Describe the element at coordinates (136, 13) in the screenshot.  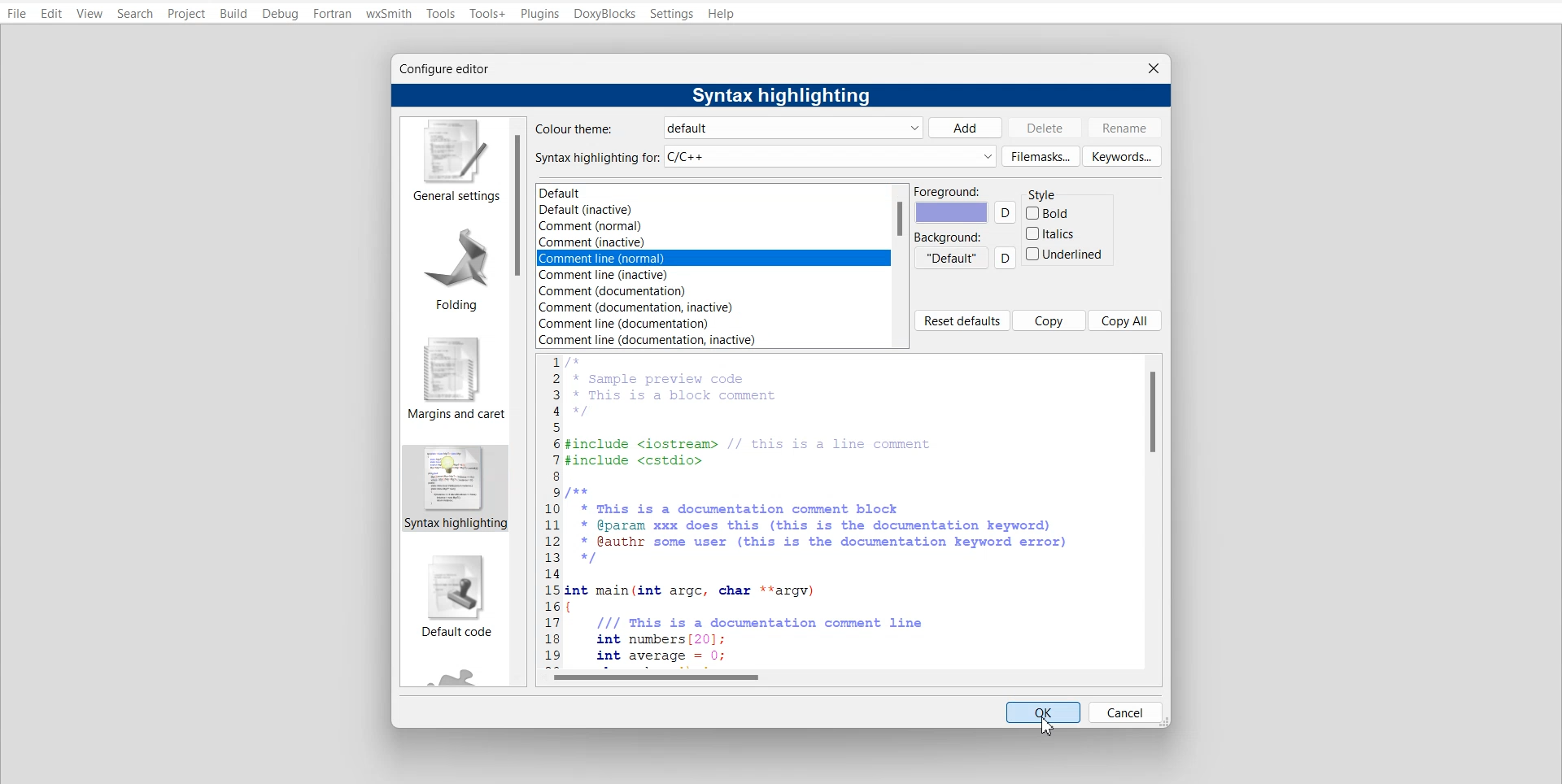
I see `Search` at that location.